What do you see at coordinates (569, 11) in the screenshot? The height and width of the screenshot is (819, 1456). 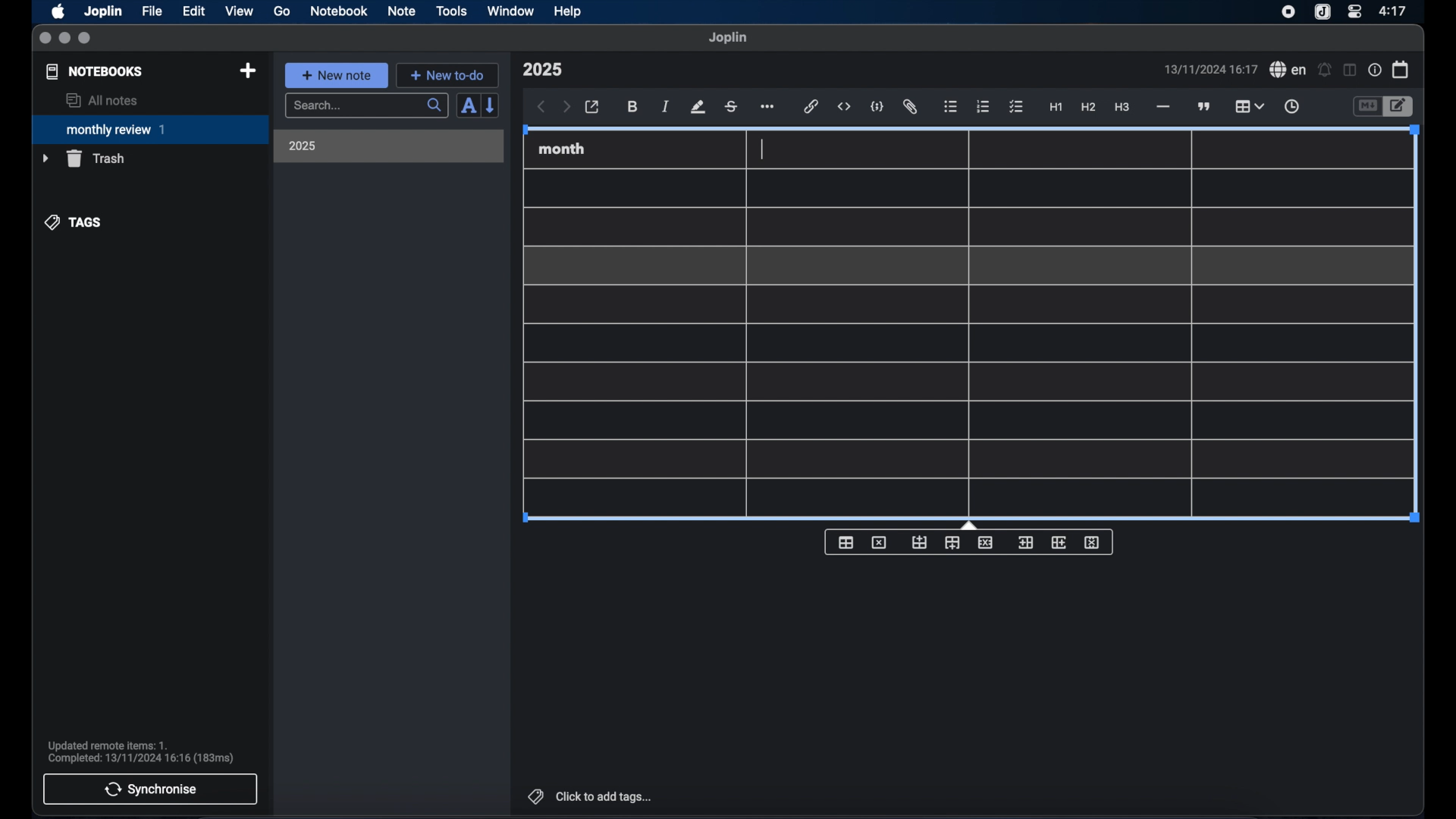 I see `help` at bounding box center [569, 11].